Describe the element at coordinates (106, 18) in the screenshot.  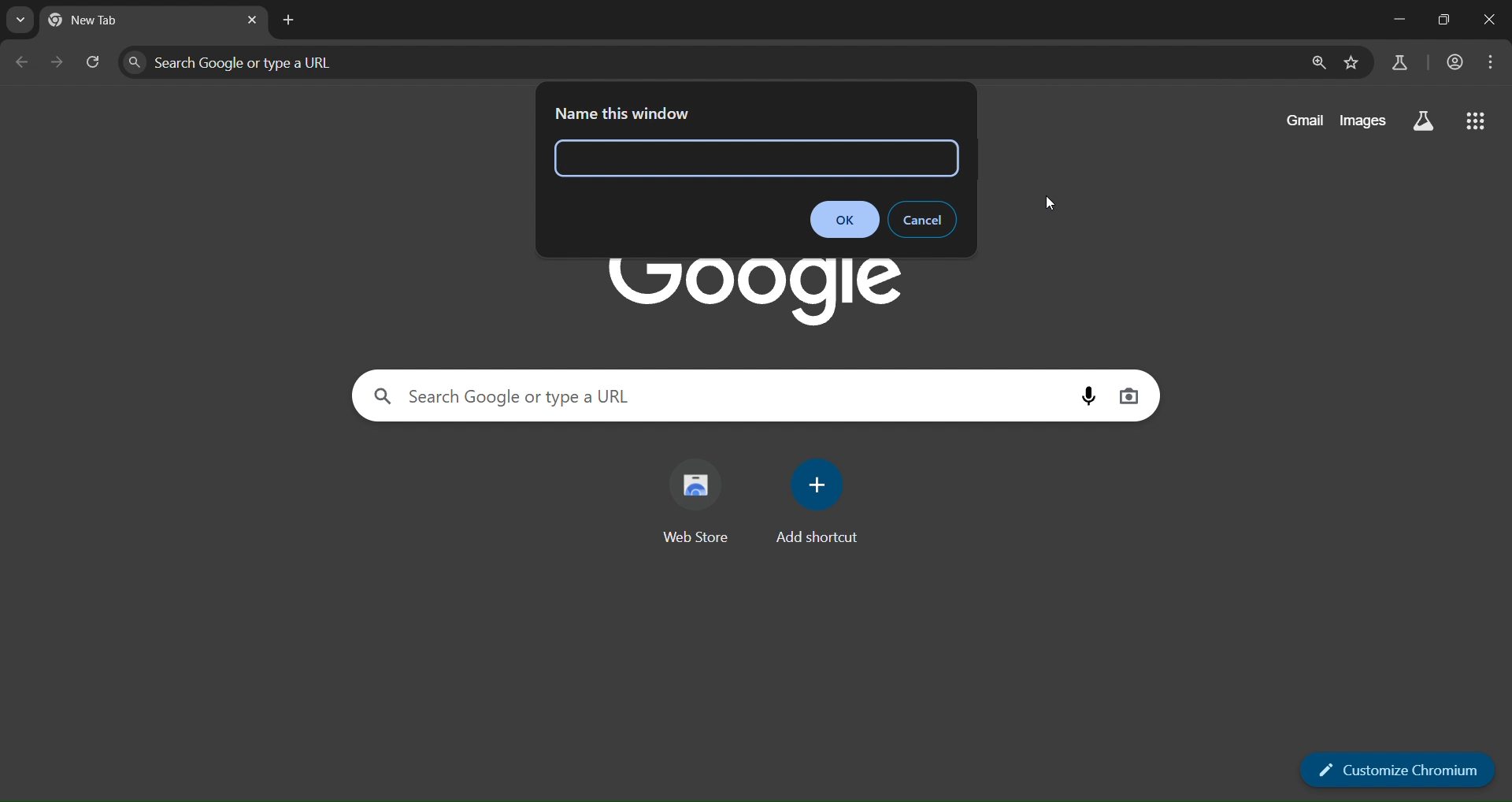
I see `new tab` at that location.